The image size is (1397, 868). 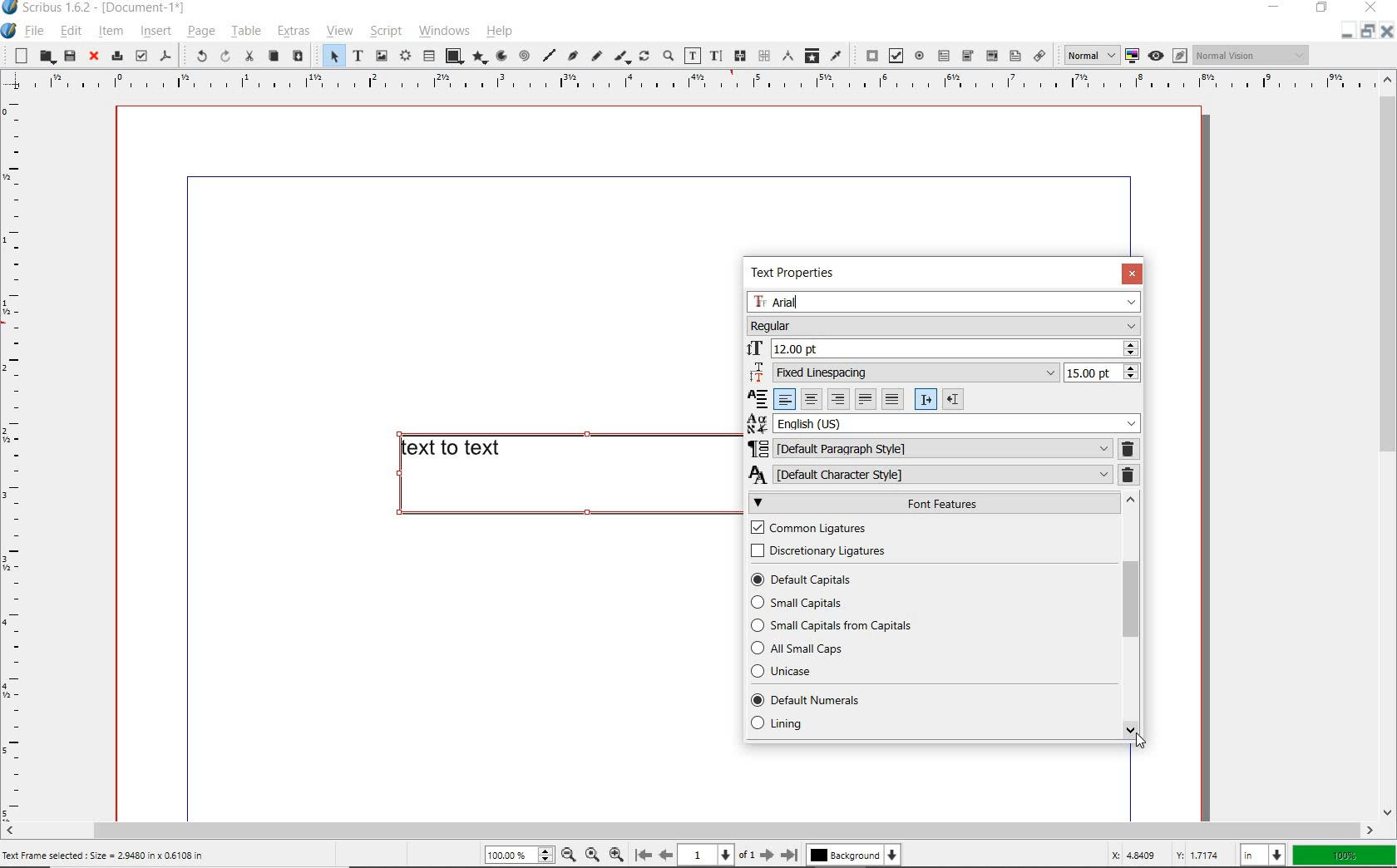 What do you see at coordinates (273, 57) in the screenshot?
I see `copy` at bounding box center [273, 57].